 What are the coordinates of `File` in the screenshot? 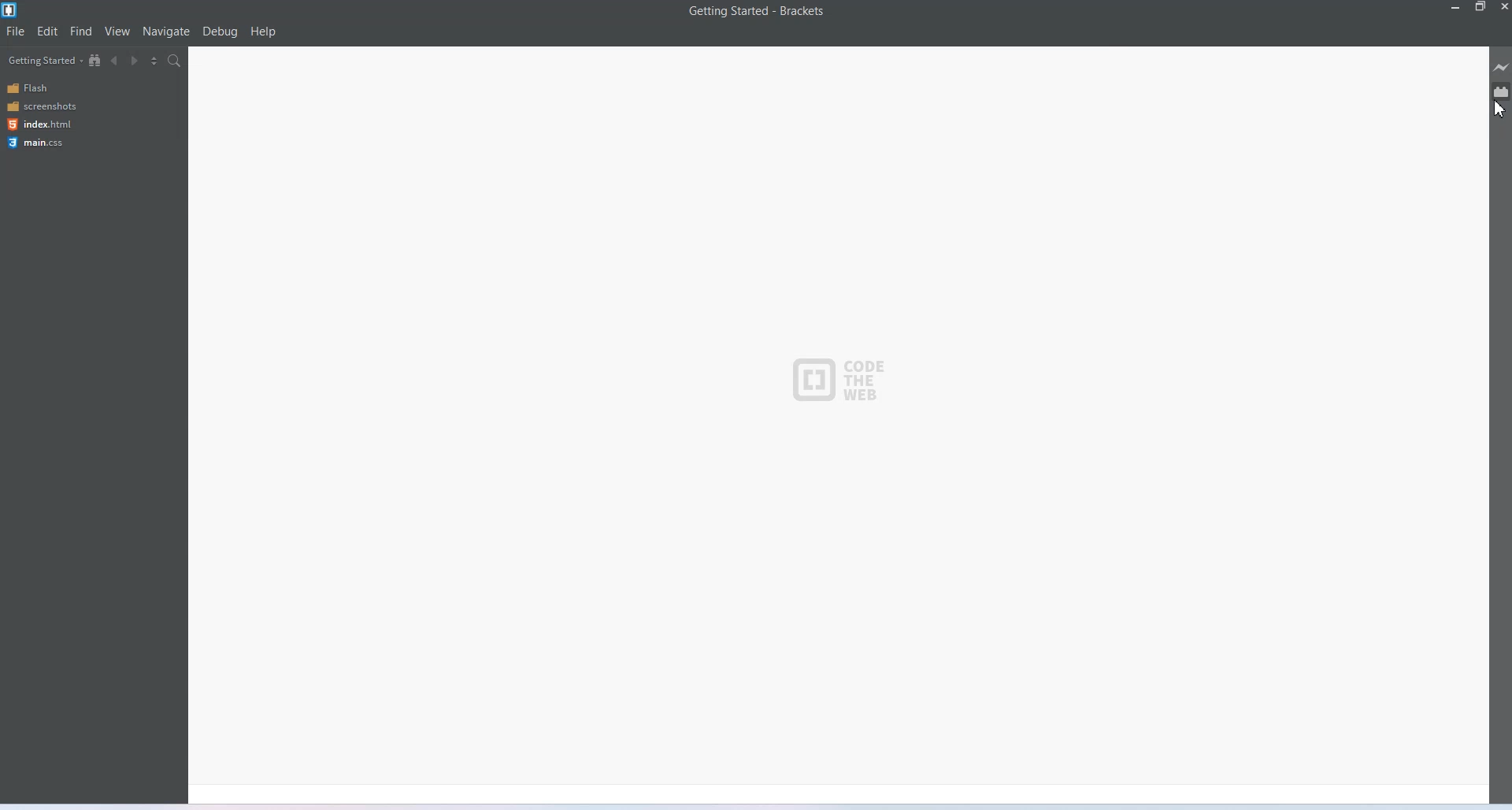 It's located at (16, 31).